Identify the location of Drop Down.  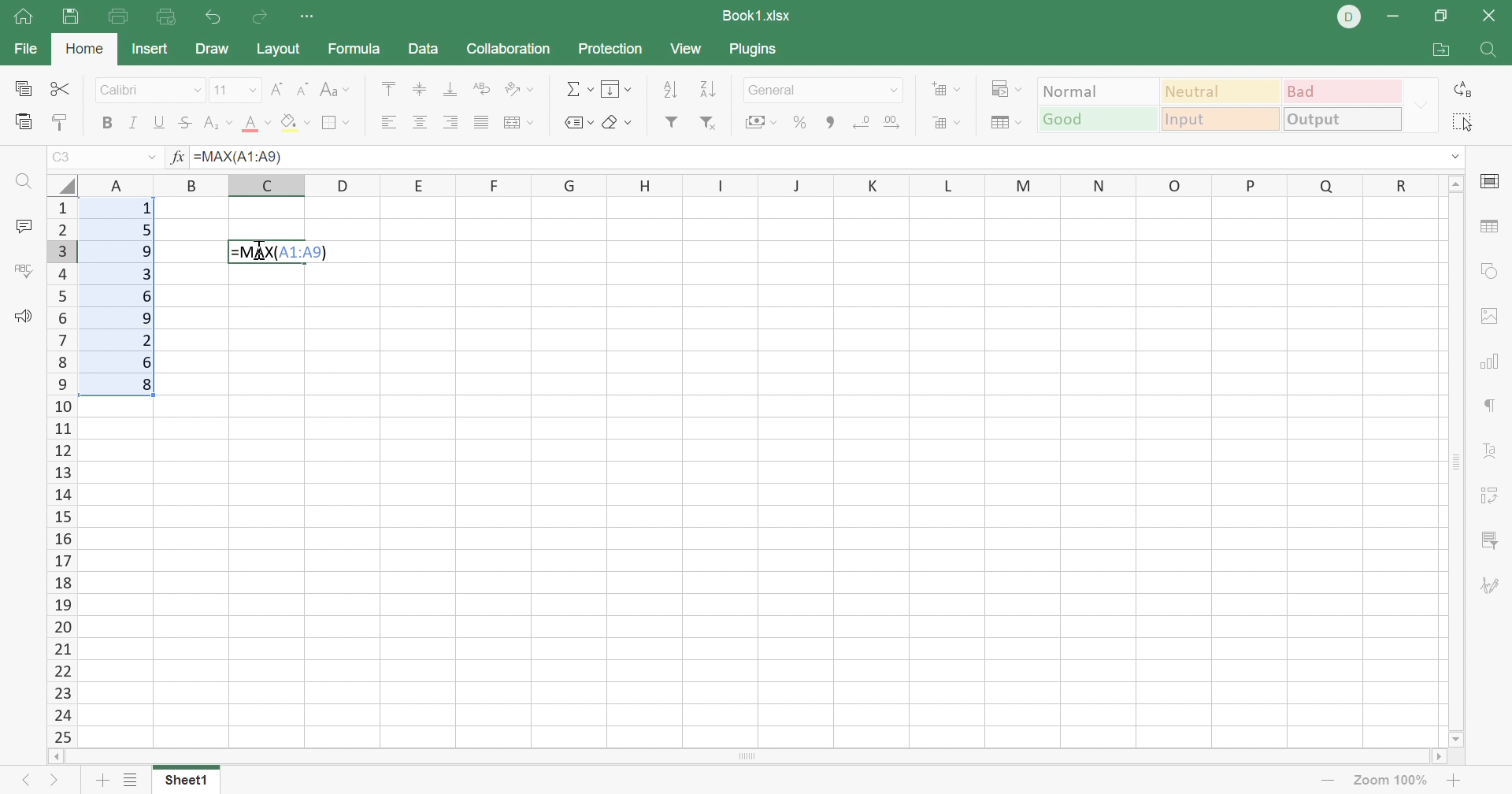
(252, 90).